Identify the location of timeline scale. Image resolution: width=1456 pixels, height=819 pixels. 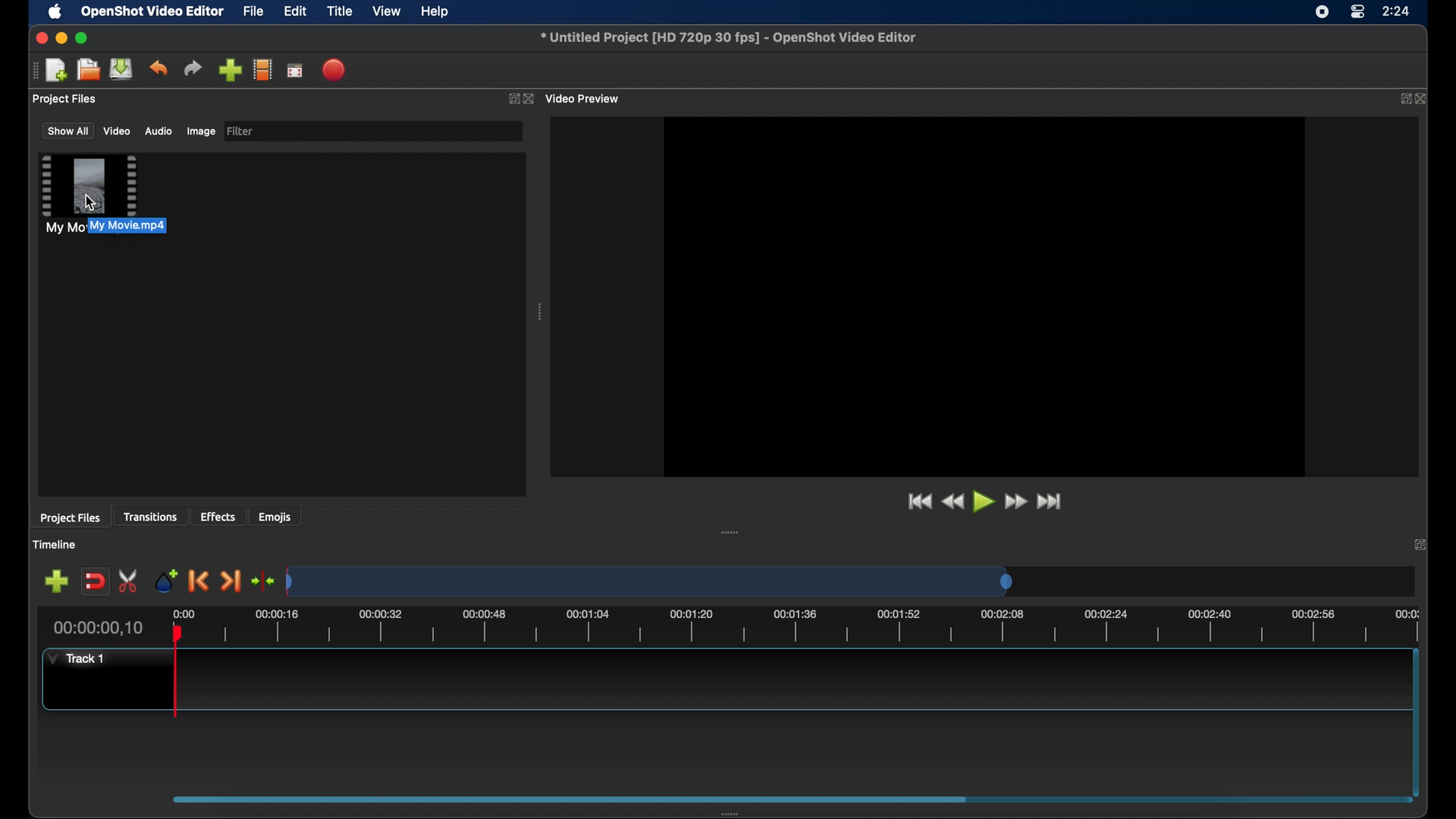
(649, 580).